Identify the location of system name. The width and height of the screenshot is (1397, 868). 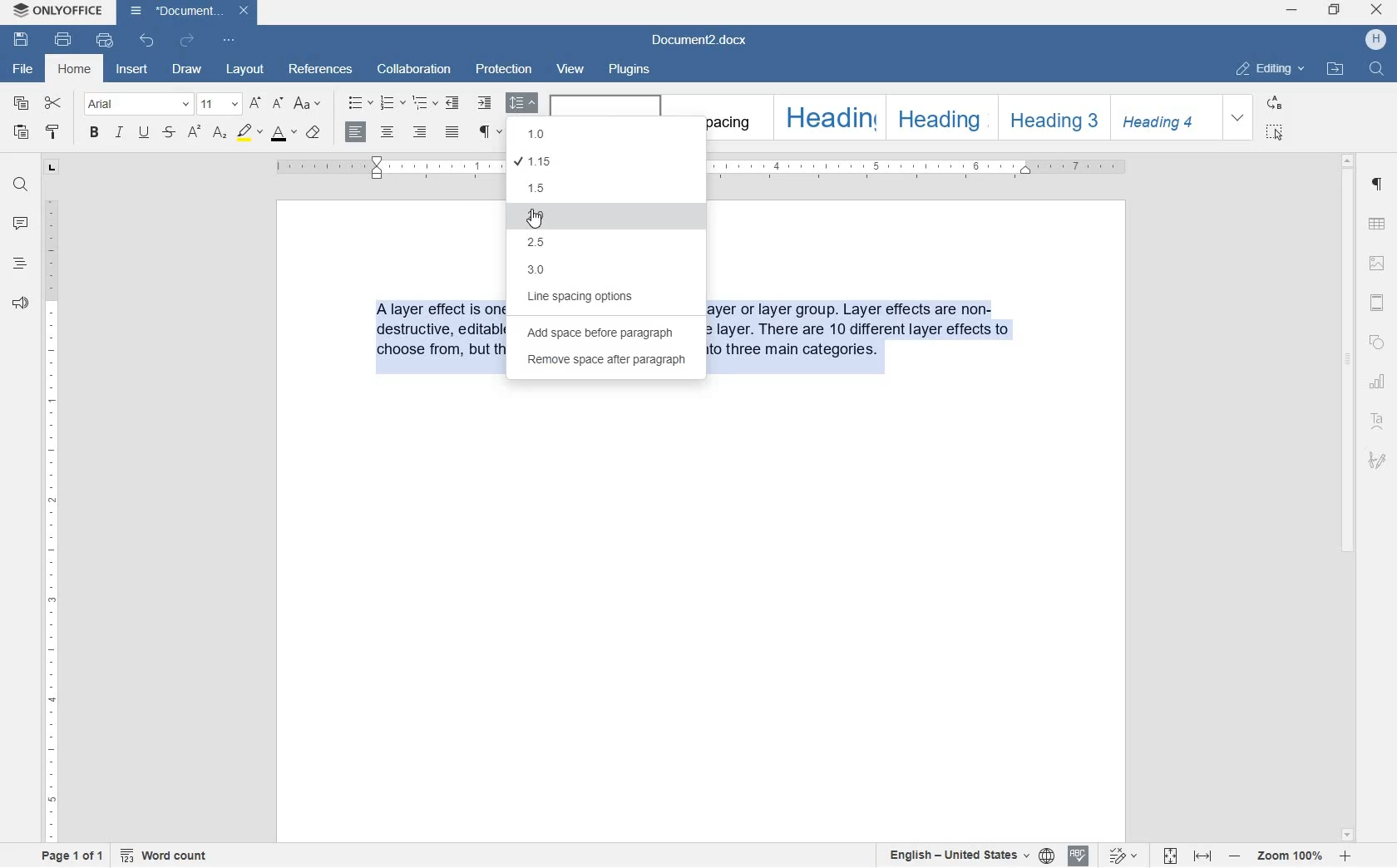
(57, 12).